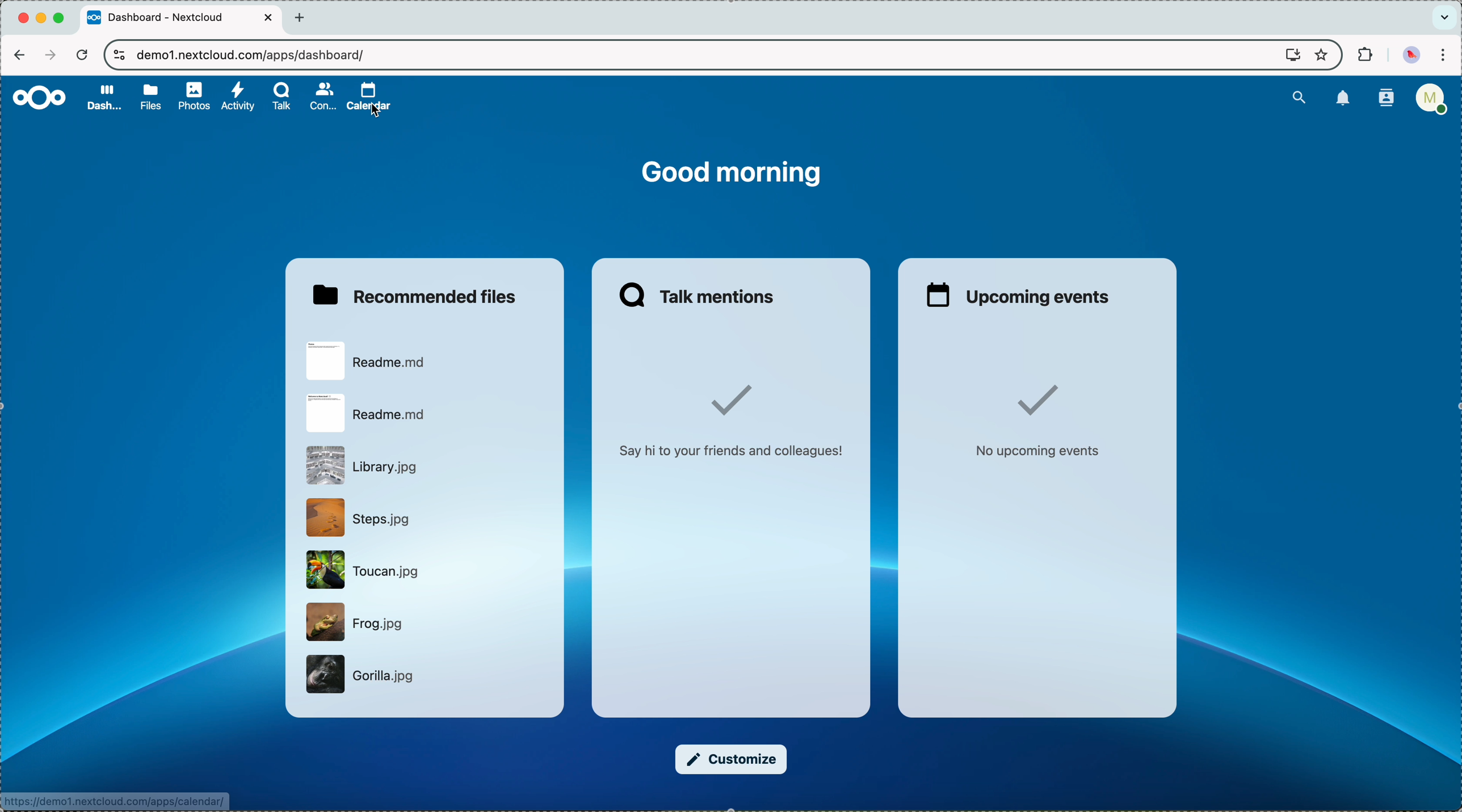 This screenshot has width=1462, height=812. What do you see at coordinates (282, 98) in the screenshot?
I see `Talk` at bounding box center [282, 98].